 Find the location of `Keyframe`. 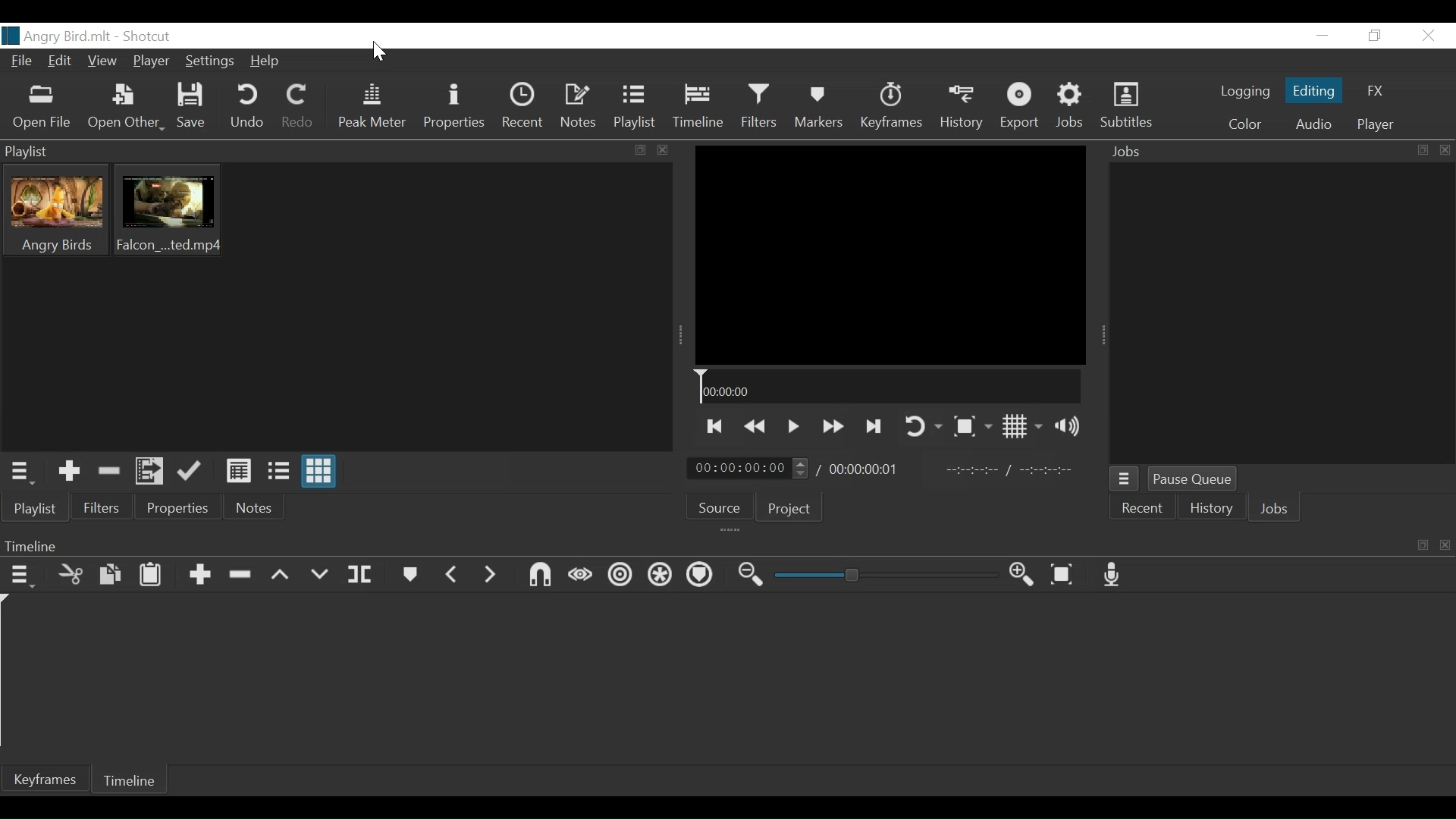

Keyframe is located at coordinates (52, 781).